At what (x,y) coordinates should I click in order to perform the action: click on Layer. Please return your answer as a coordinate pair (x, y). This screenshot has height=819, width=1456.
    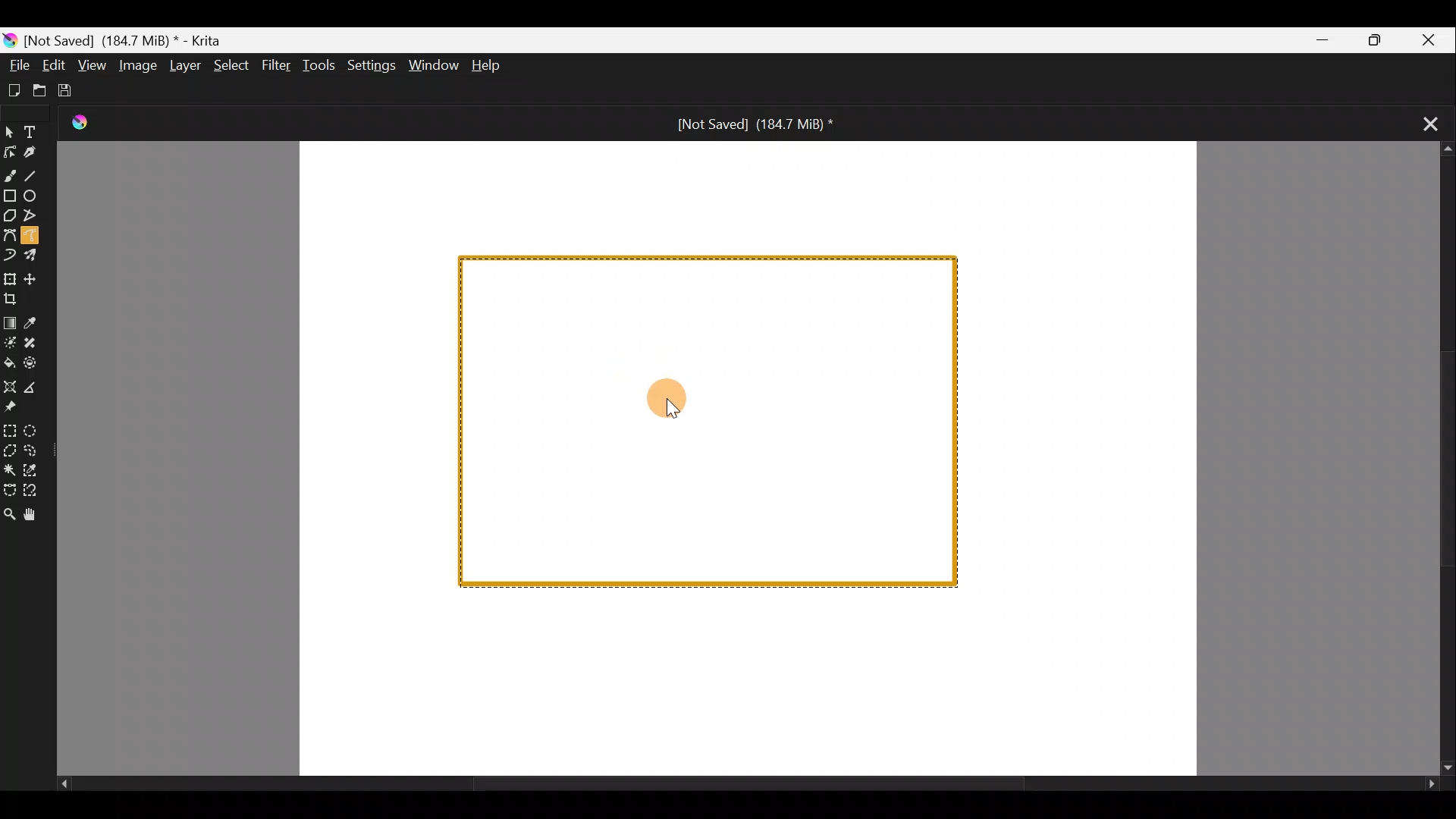
    Looking at the image, I should click on (186, 64).